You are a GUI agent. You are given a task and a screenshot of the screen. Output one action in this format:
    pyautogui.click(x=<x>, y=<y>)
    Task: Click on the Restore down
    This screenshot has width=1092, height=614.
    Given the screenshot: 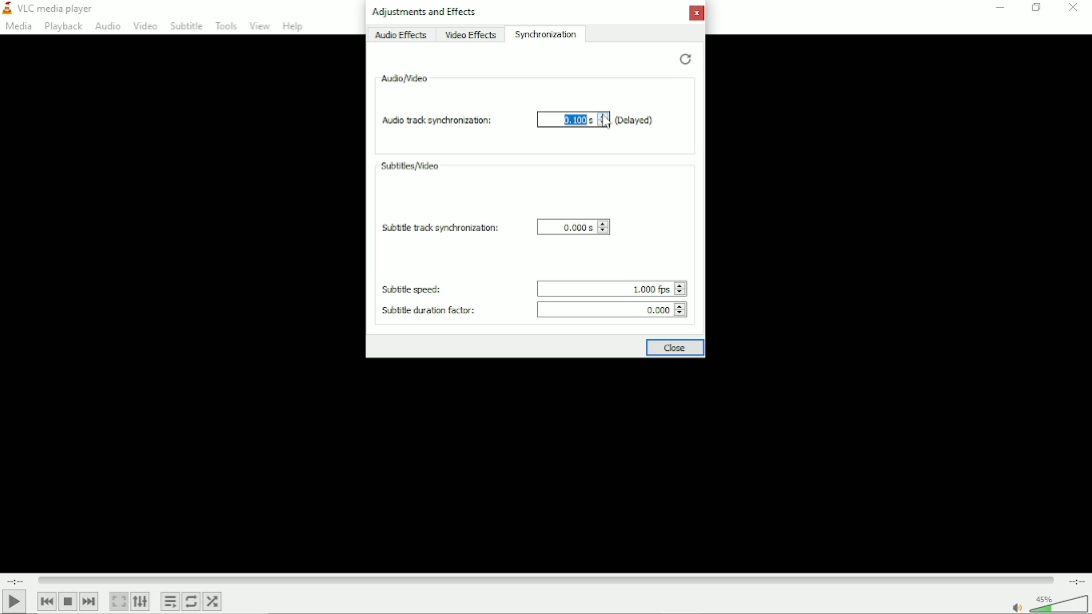 What is the action you would take?
    pyautogui.click(x=1035, y=8)
    